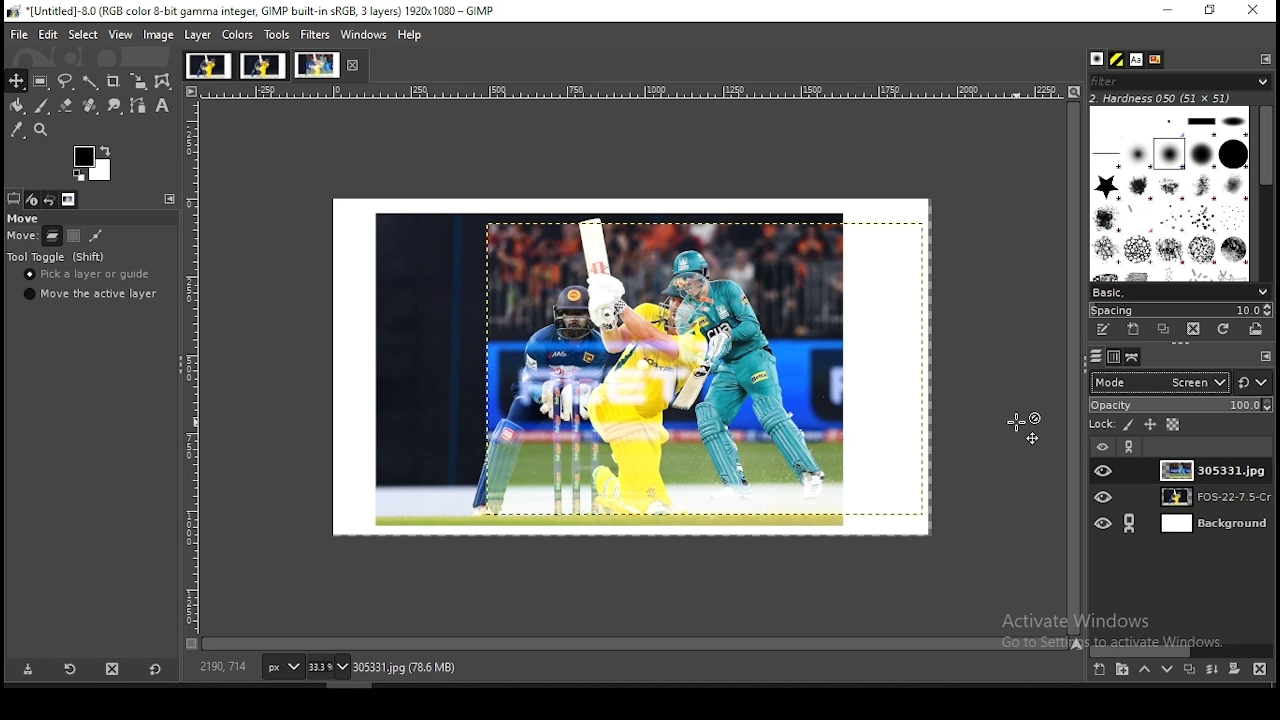 The height and width of the screenshot is (720, 1280). What do you see at coordinates (69, 200) in the screenshot?
I see `images` at bounding box center [69, 200].